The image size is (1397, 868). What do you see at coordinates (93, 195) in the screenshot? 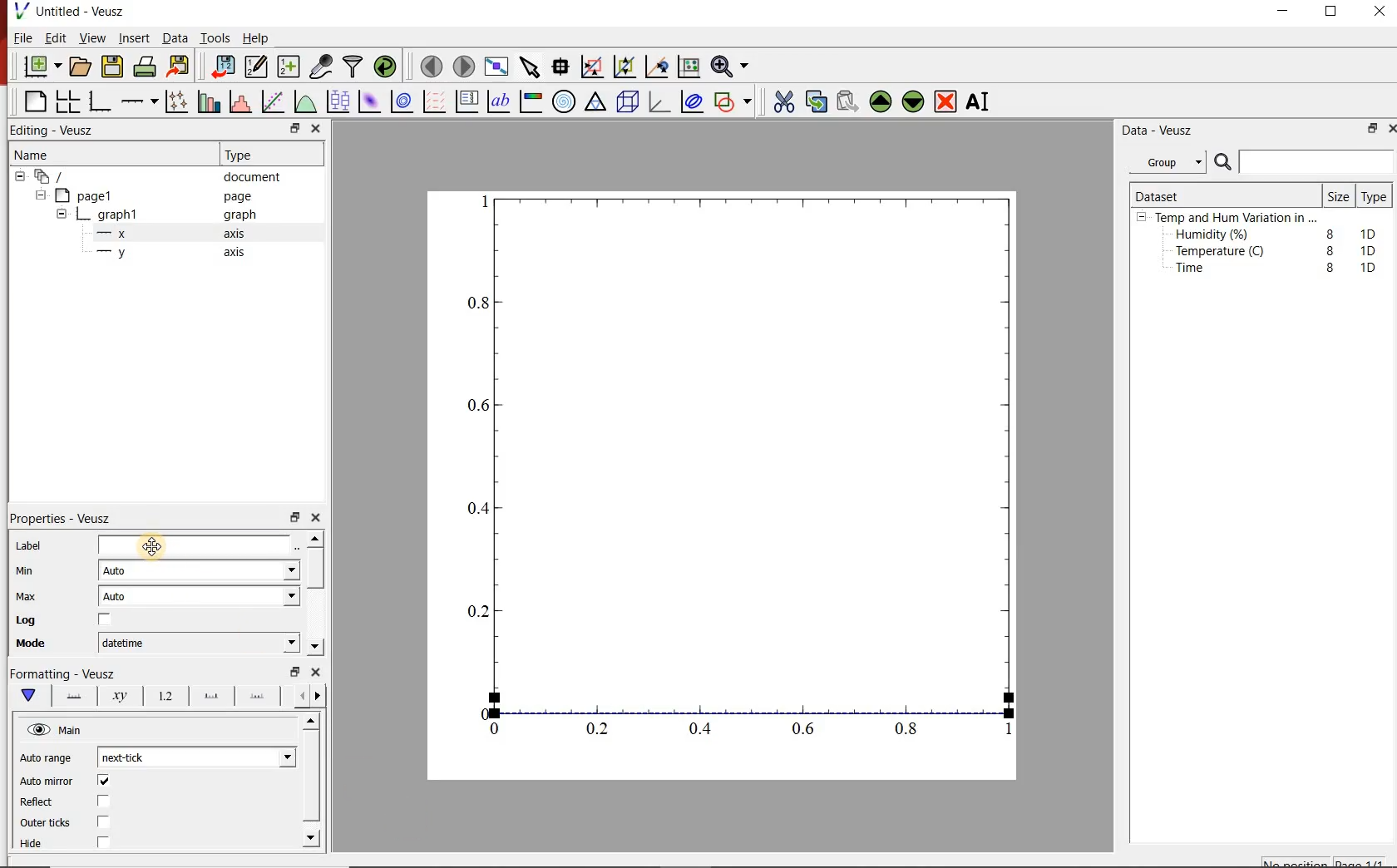
I see `page1` at bounding box center [93, 195].